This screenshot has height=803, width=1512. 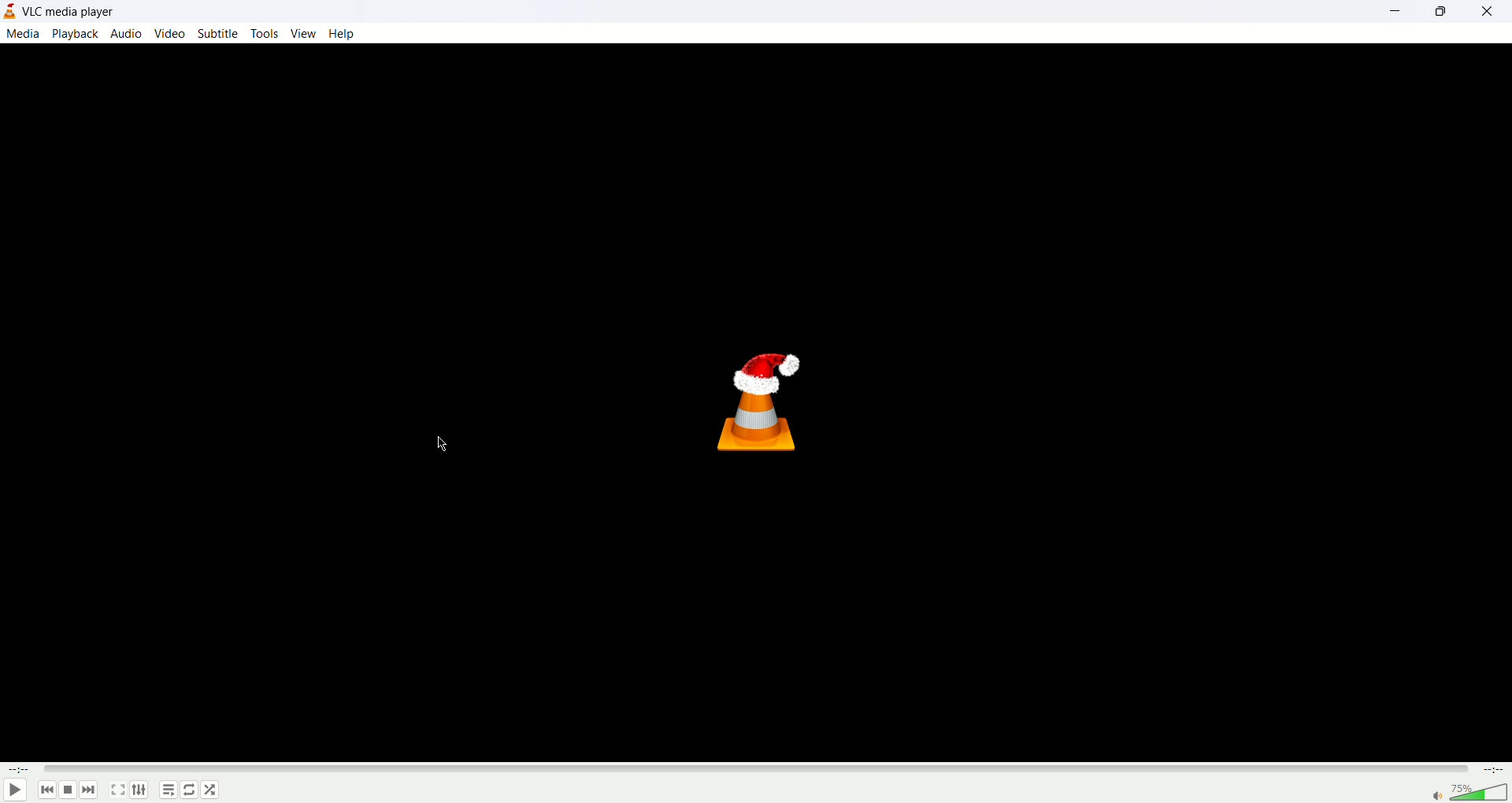 I want to click on time remaining, so click(x=1492, y=772).